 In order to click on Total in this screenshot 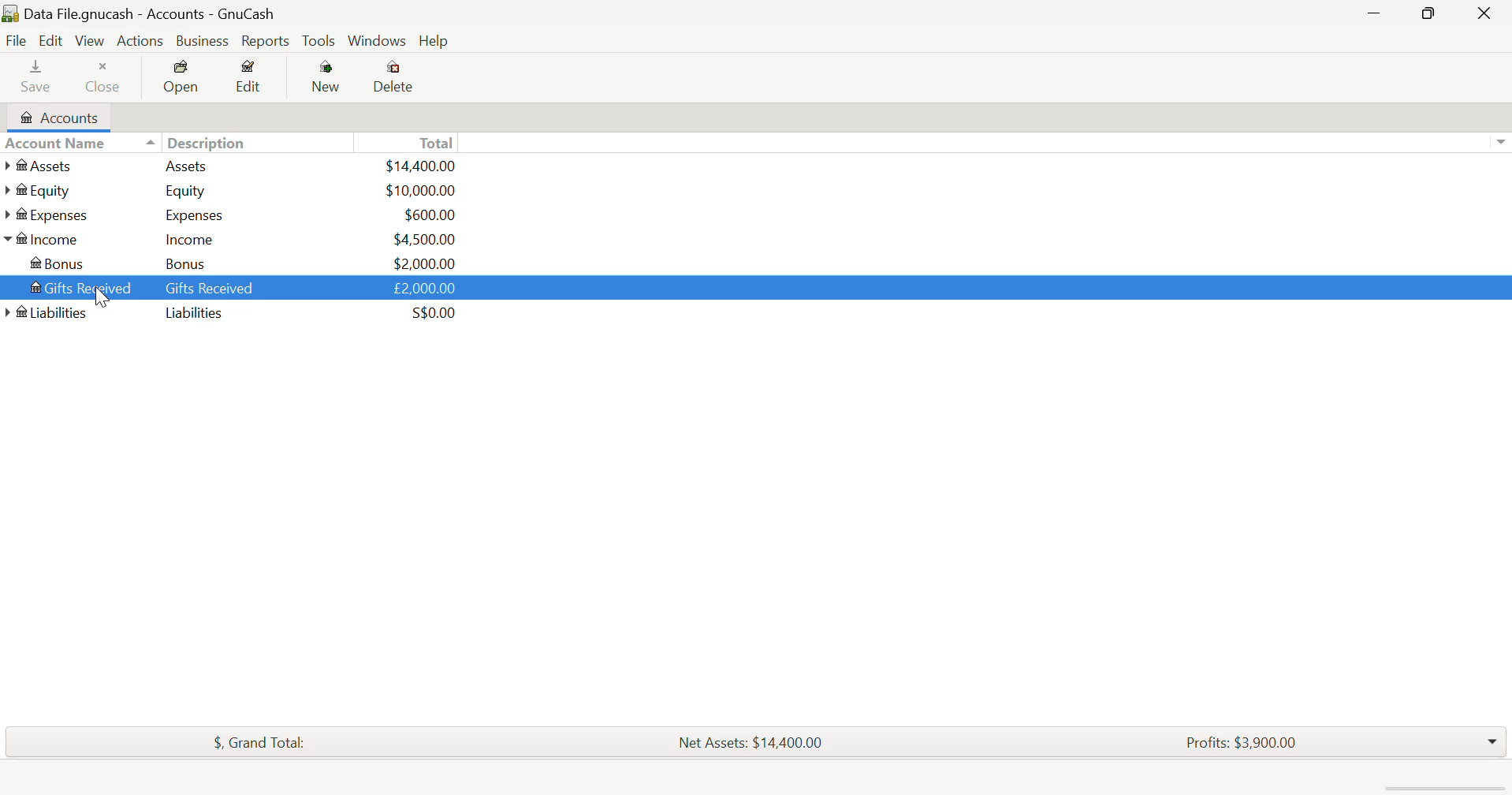, I will do `click(259, 743)`.